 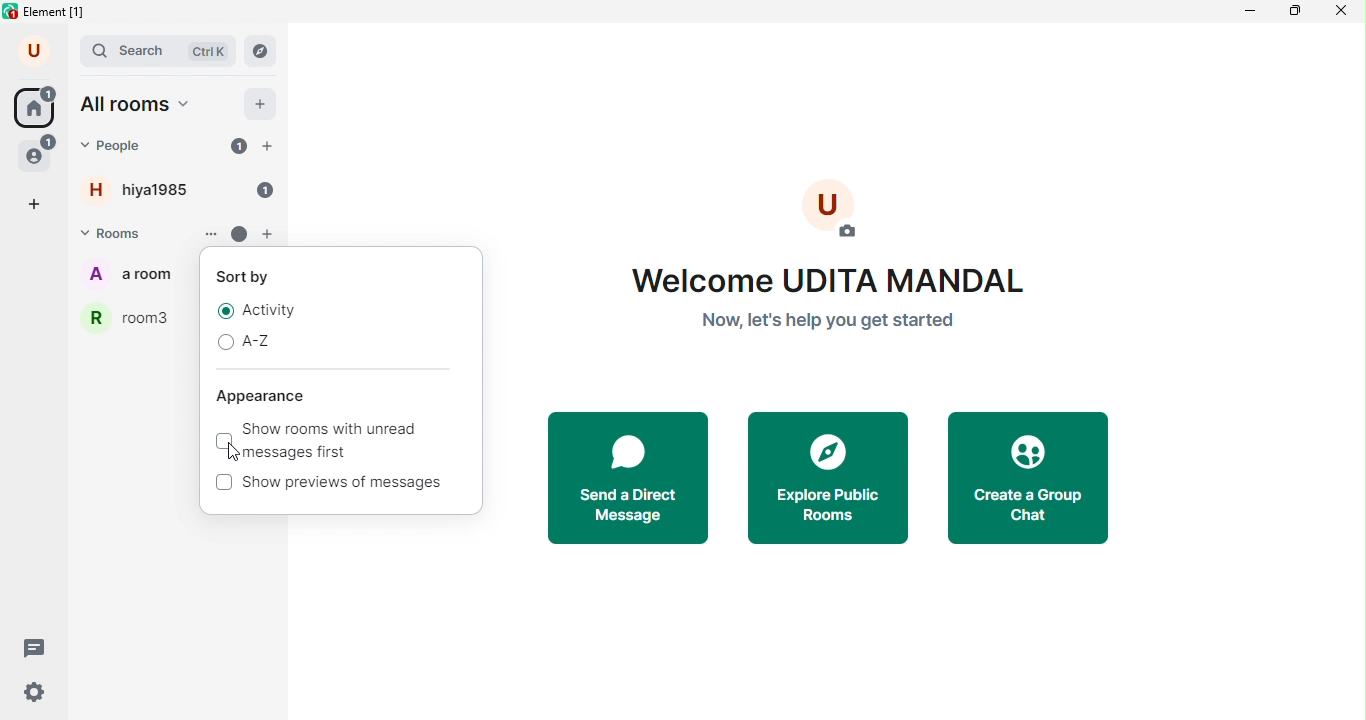 I want to click on a room, so click(x=130, y=276).